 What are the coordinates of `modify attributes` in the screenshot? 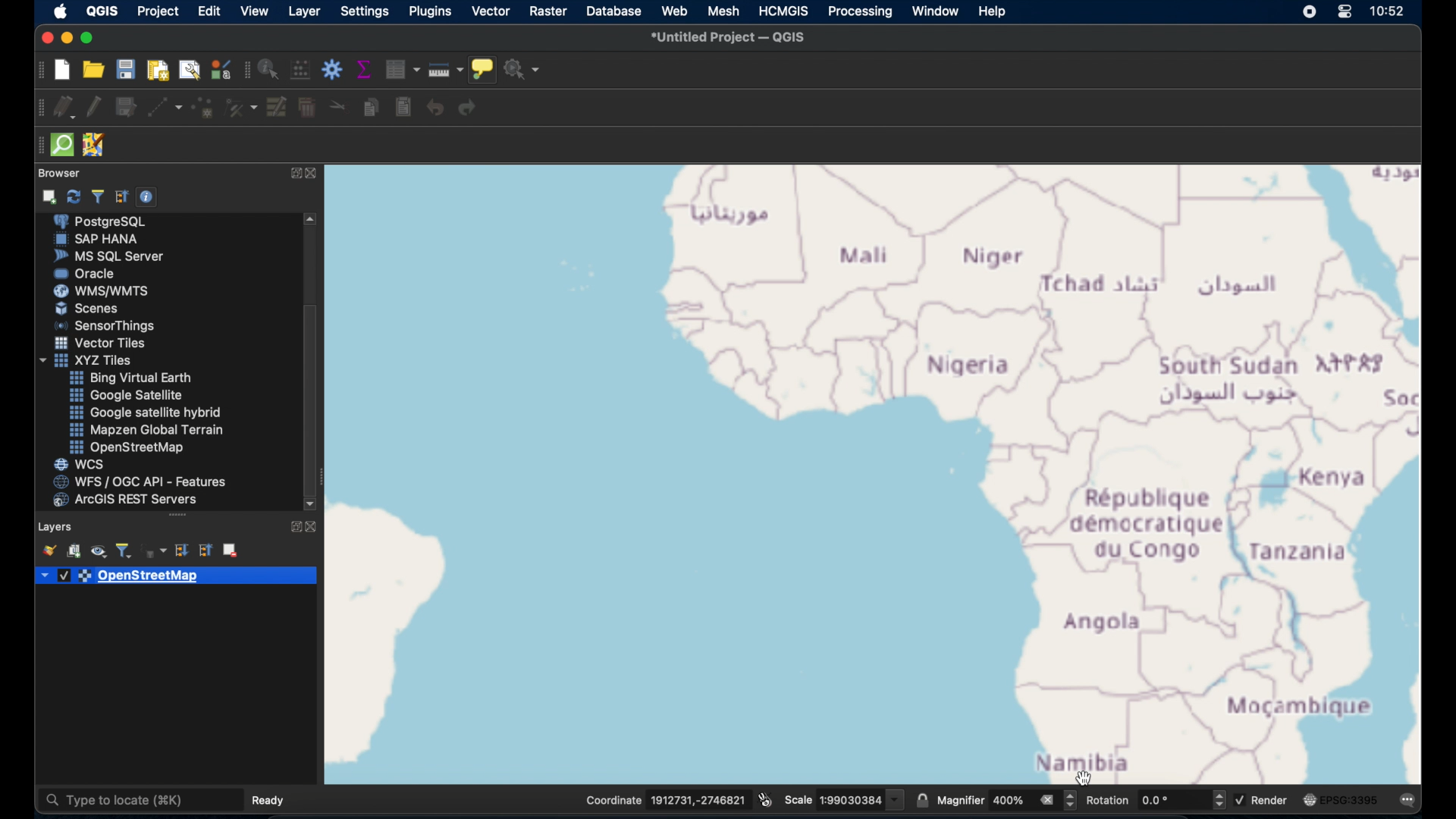 It's located at (277, 109).